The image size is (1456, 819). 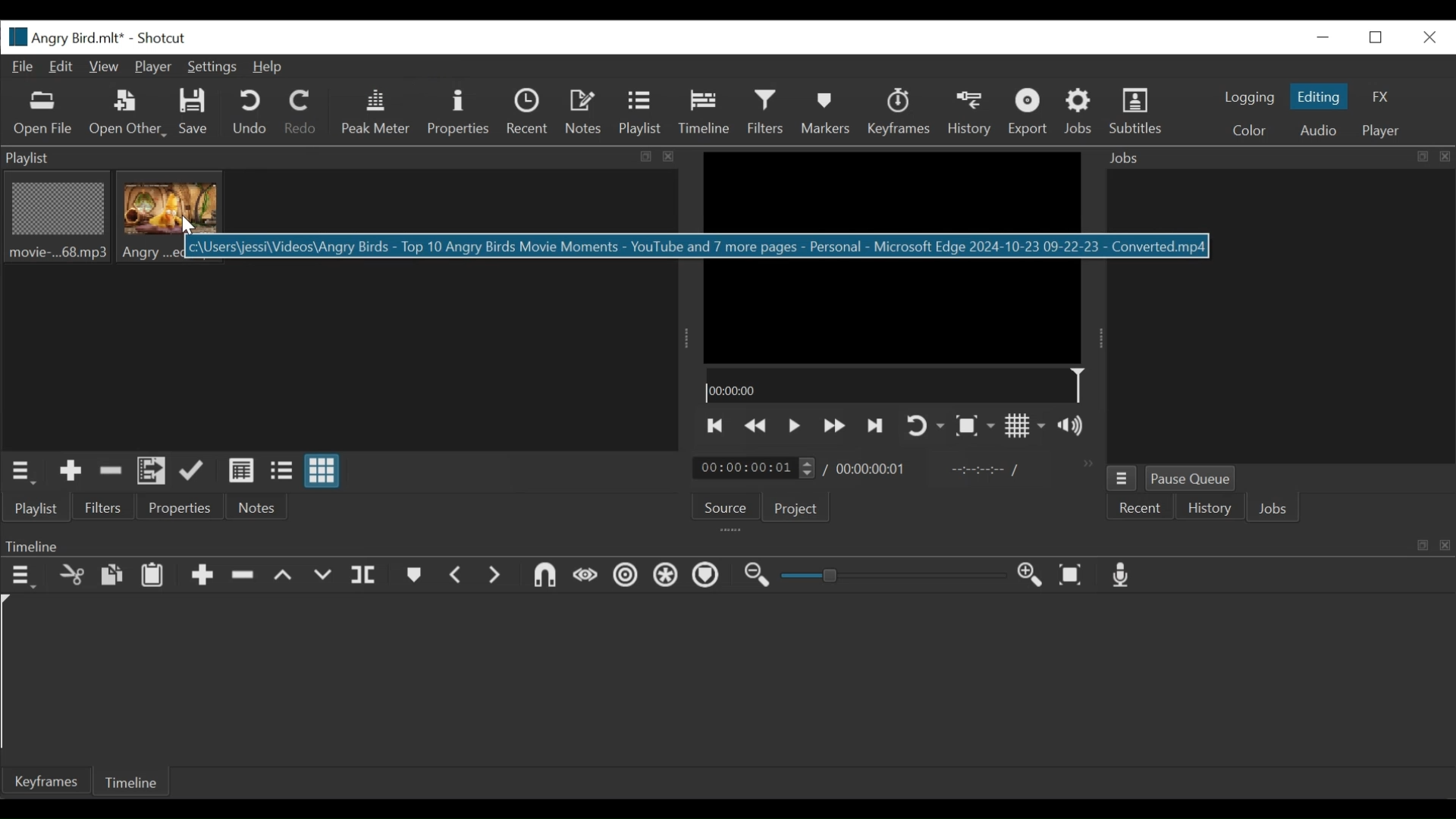 What do you see at coordinates (1380, 132) in the screenshot?
I see `Player` at bounding box center [1380, 132].